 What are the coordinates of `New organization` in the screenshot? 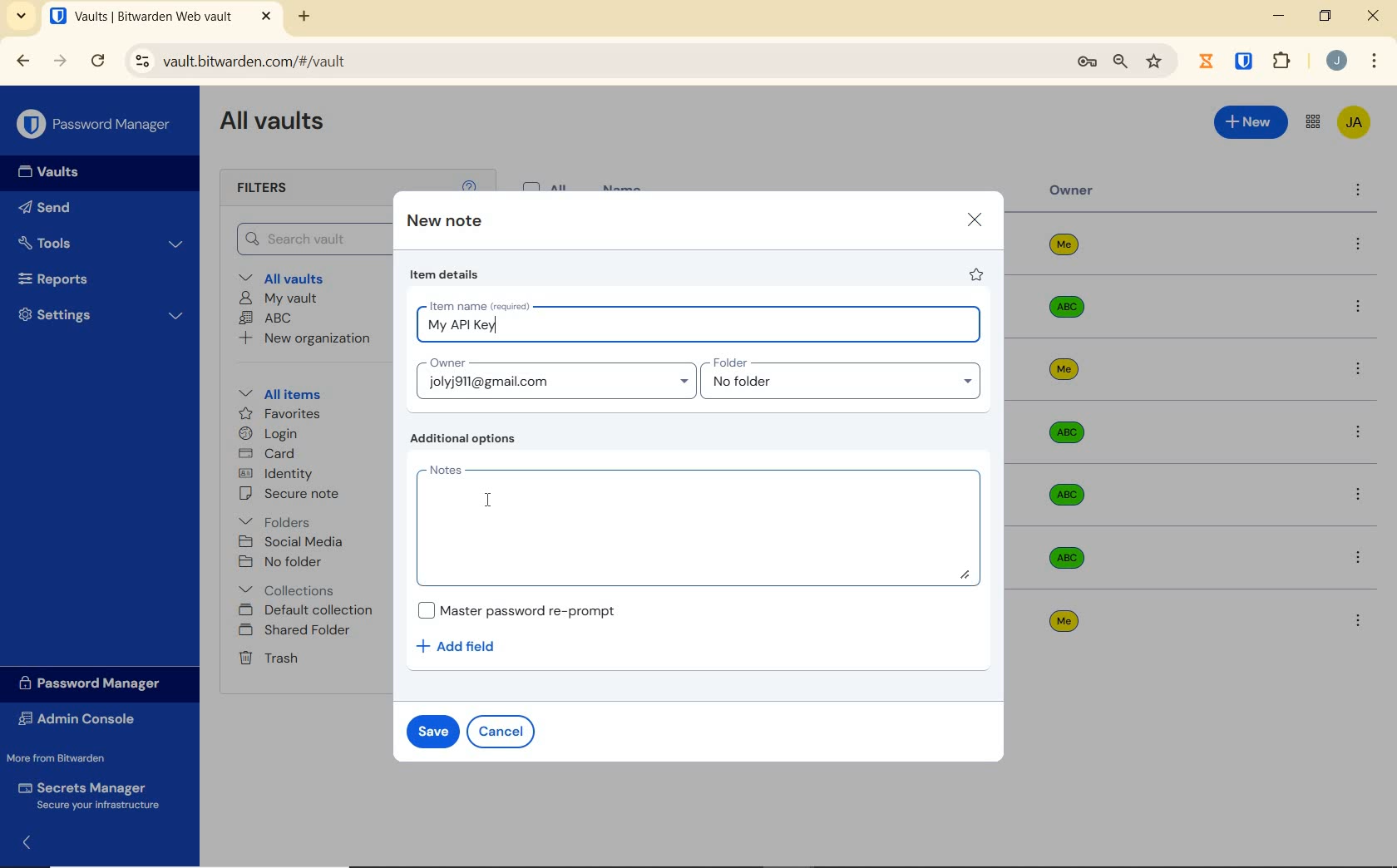 It's located at (310, 341).